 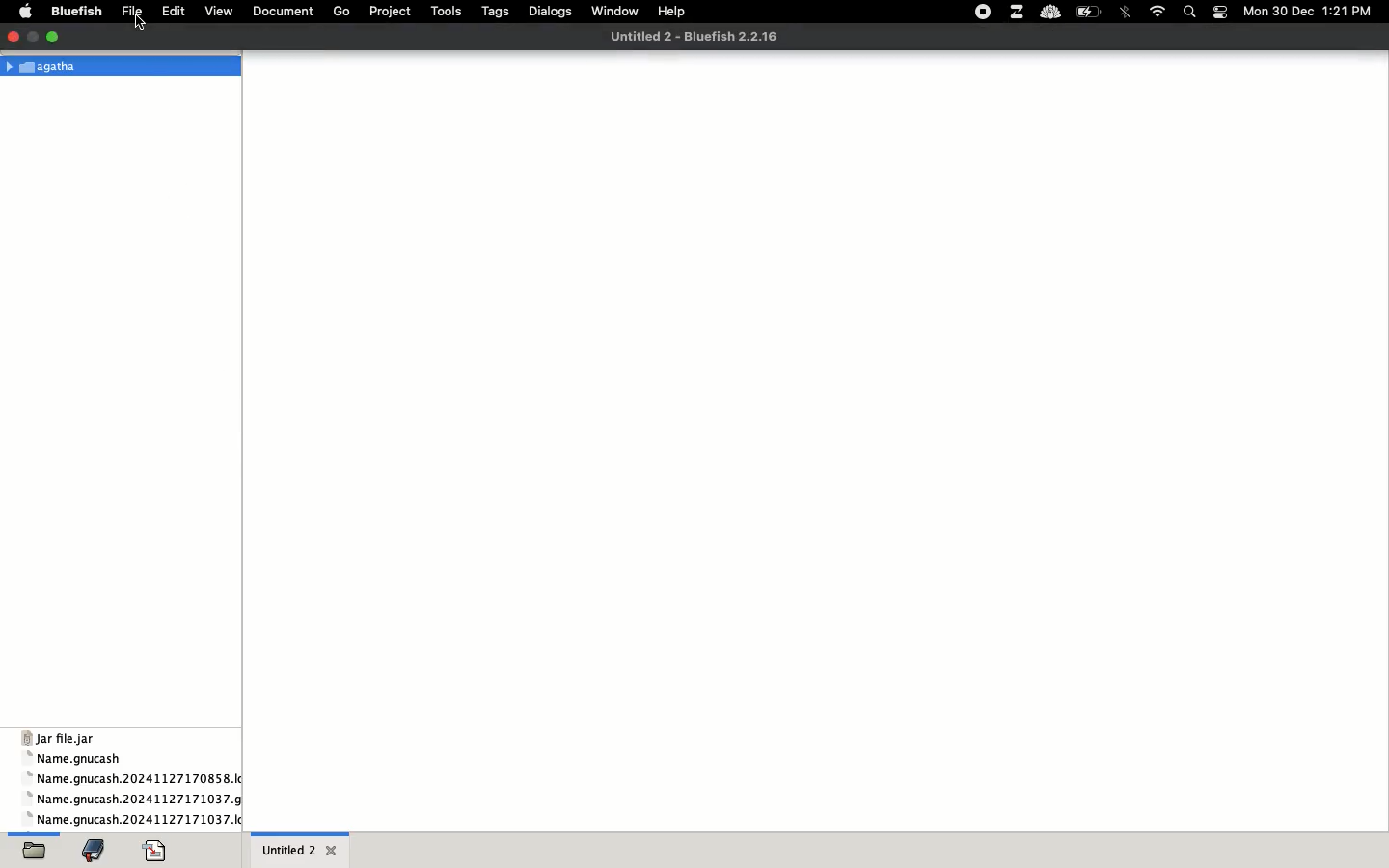 What do you see at coordinates (221, 13) in the screenshot?
I see `view` at bounding box center [221, 13].